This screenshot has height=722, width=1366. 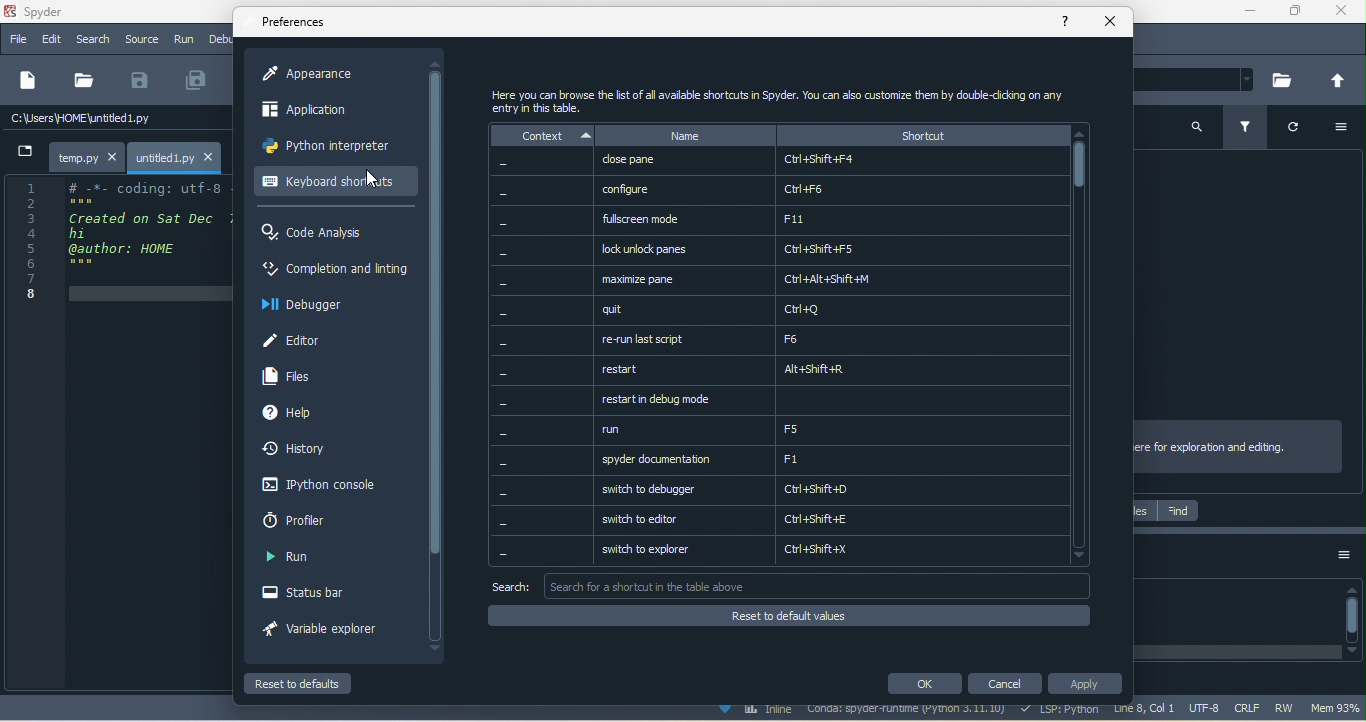 I want to click on help, so click(x=1069, y=23).